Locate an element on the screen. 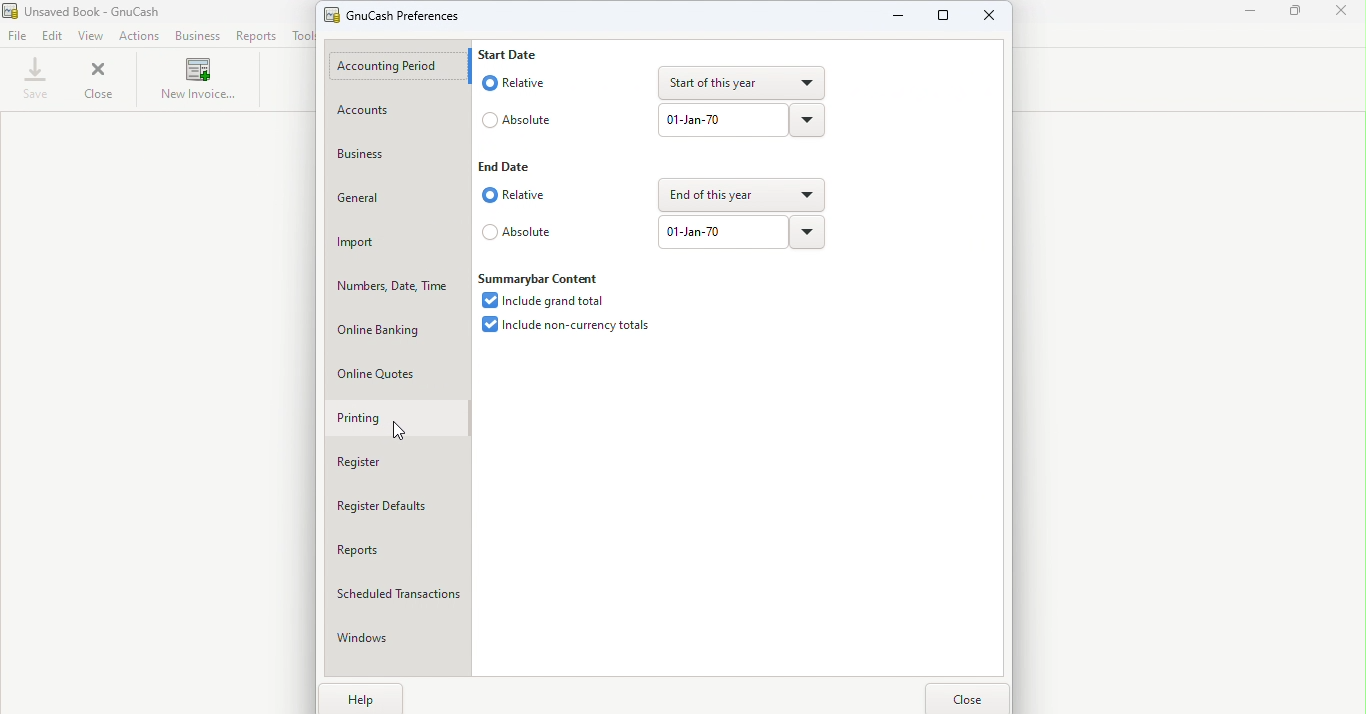 The width and height of the screenshot is (1366, 714). New invoice is located at coordinates (202, 82).